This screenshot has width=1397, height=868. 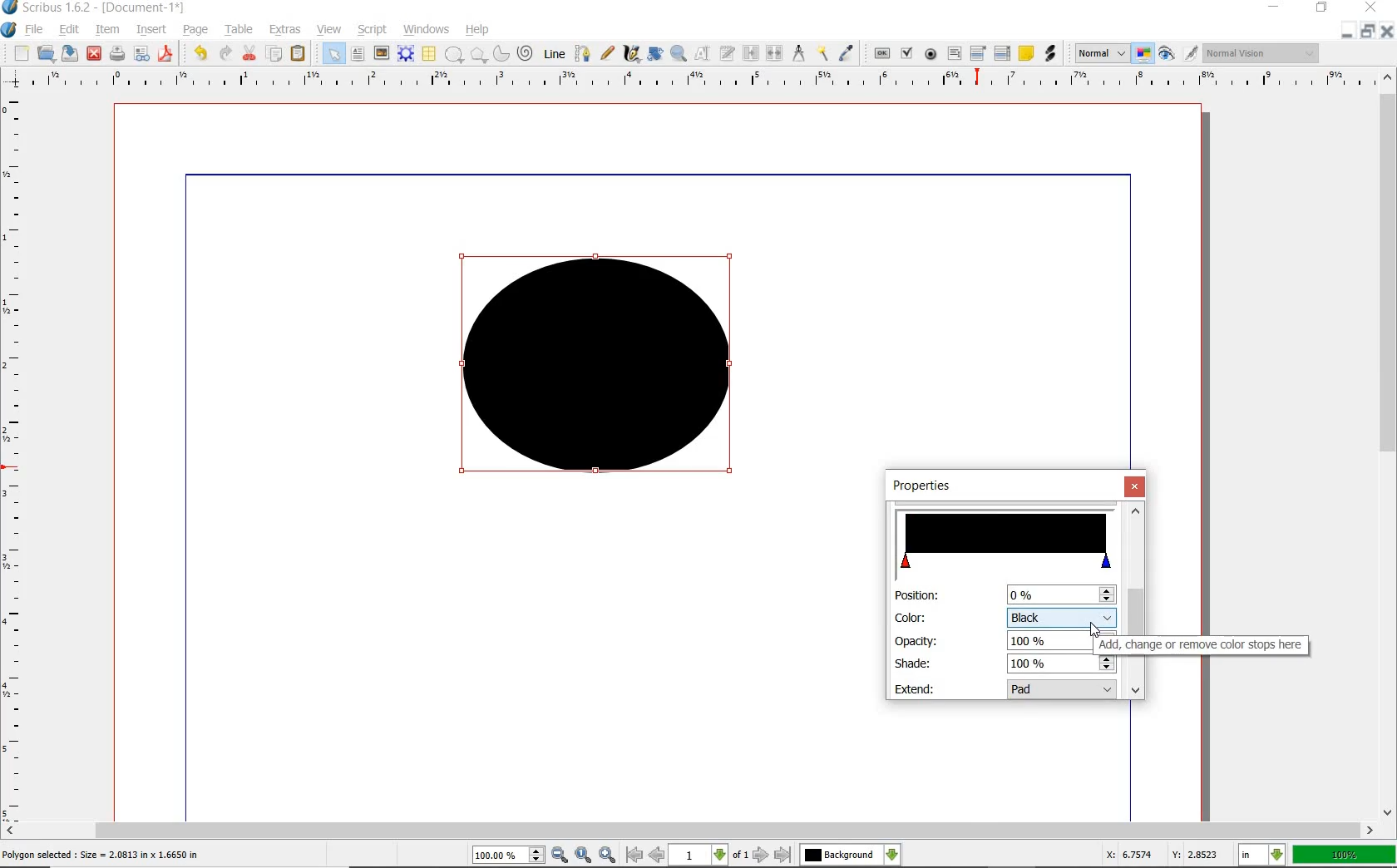 What do you see at coordinates (358, 53) in the screenshot?
I see `TEXT FRAME` at bounding box center [358, 53].